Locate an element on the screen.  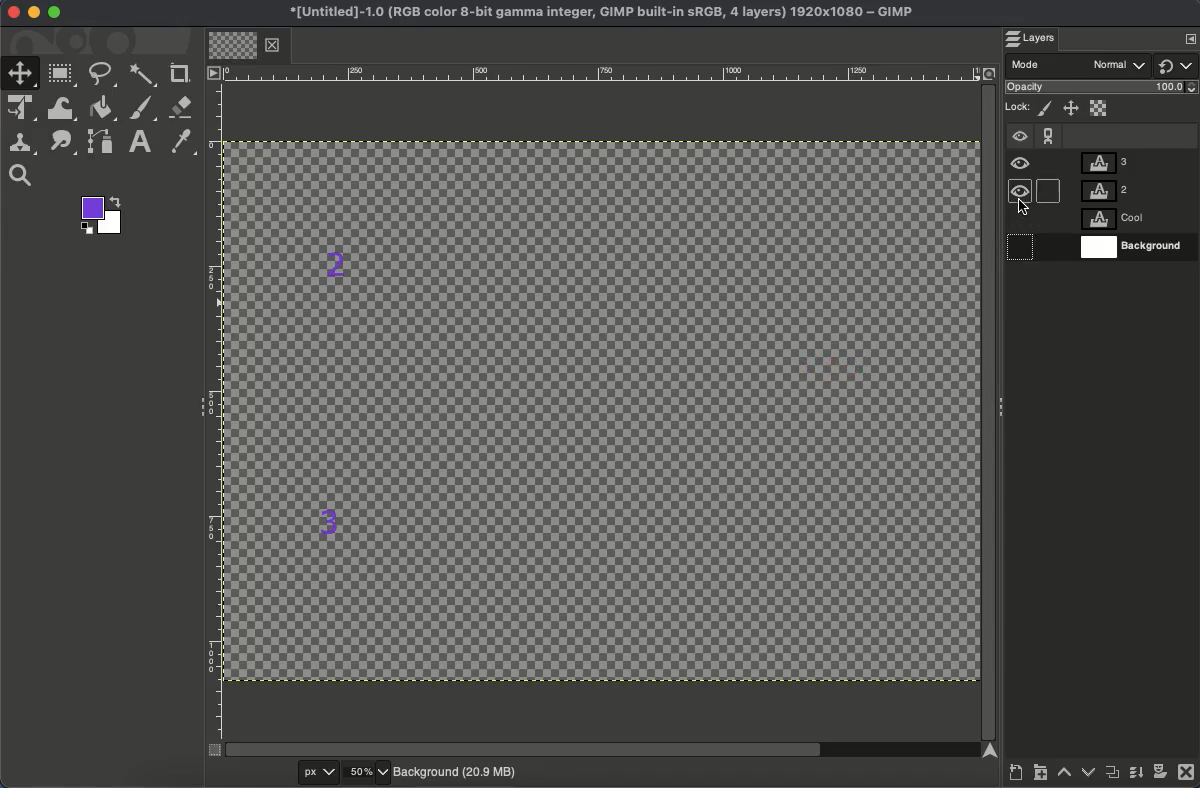
Alpha is located at coordinates (1100, 107).